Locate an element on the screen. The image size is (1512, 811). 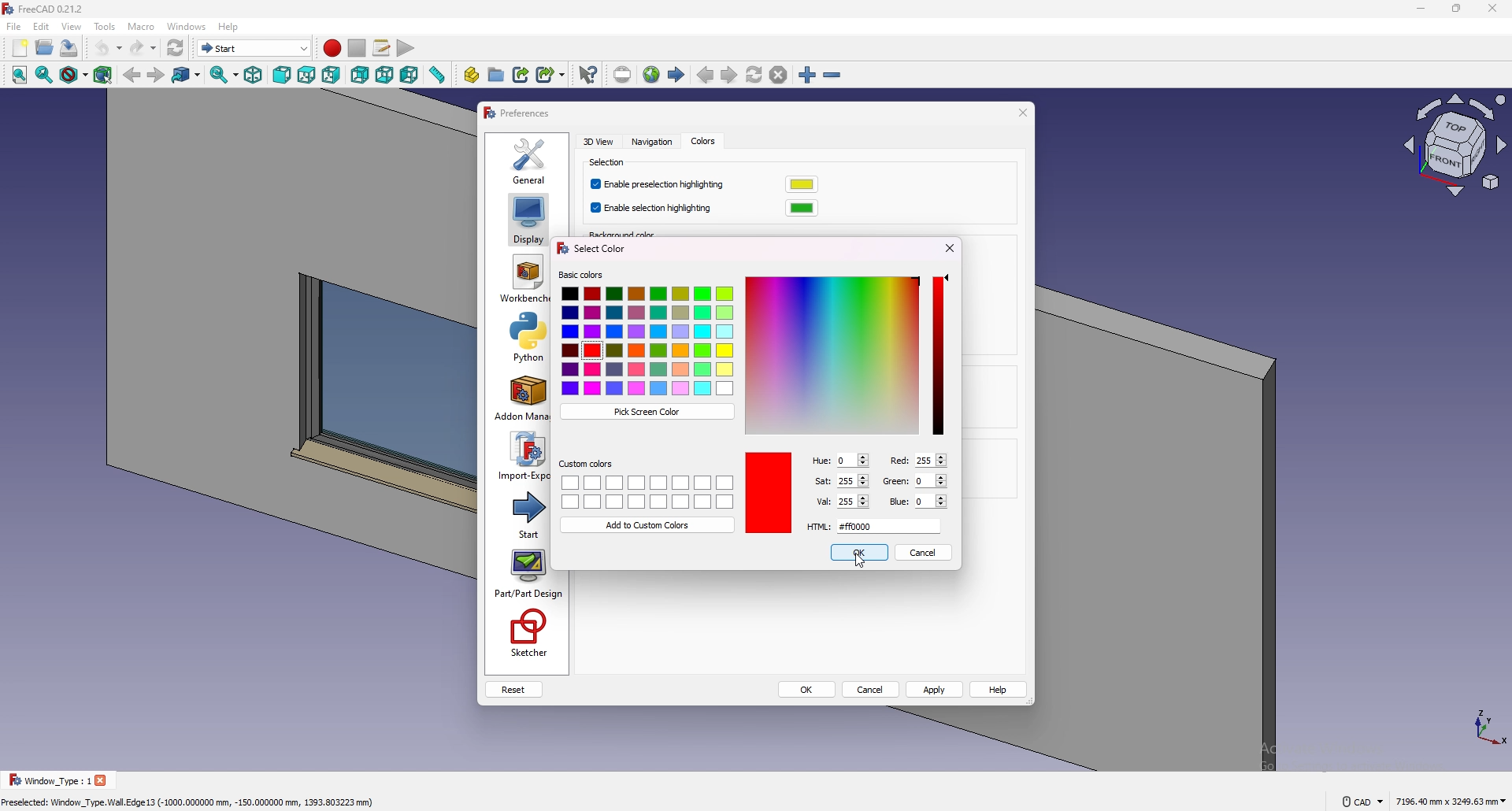
make sub link is located at coordinates (551, 73).